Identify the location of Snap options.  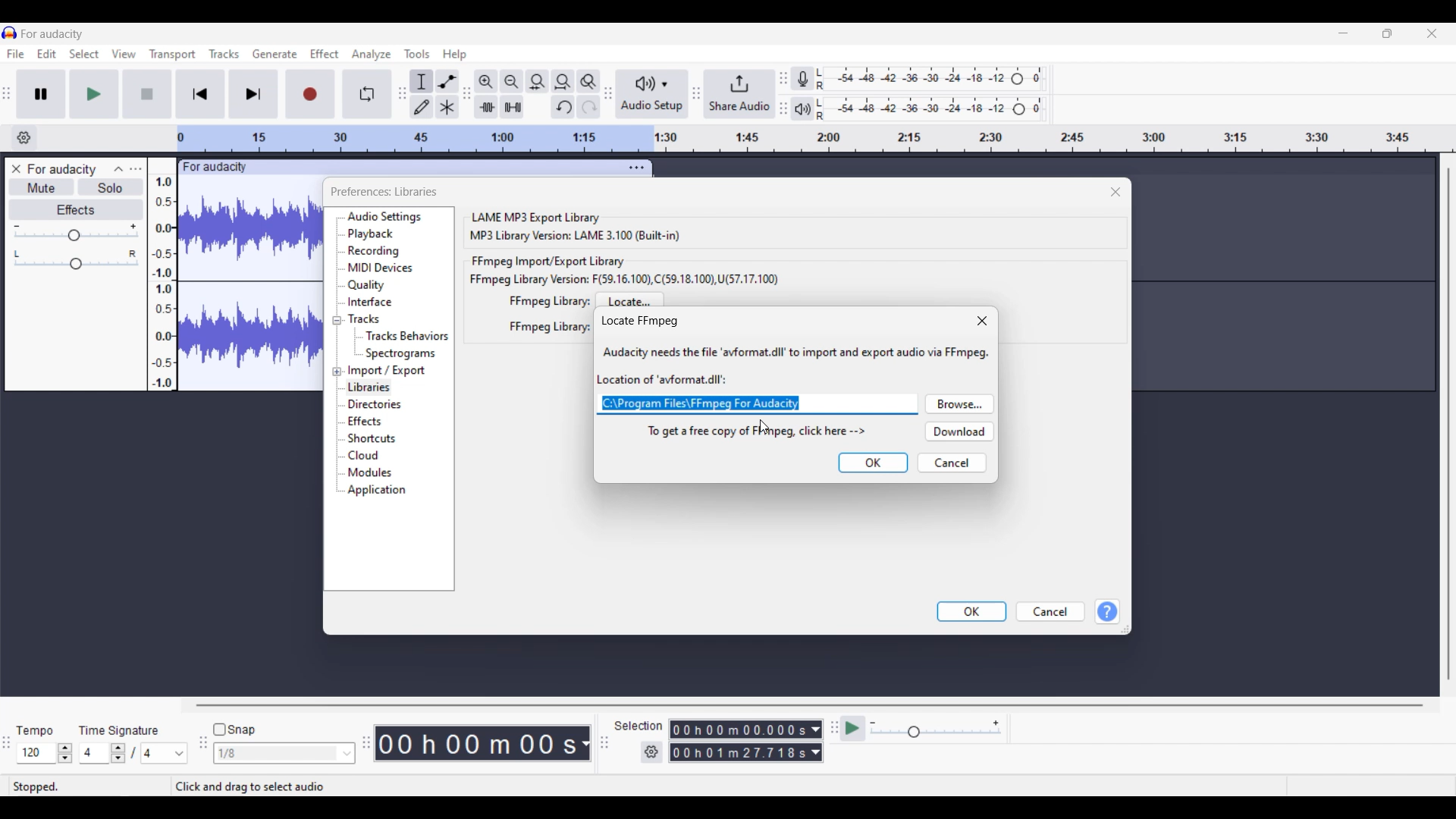
(284, 754).